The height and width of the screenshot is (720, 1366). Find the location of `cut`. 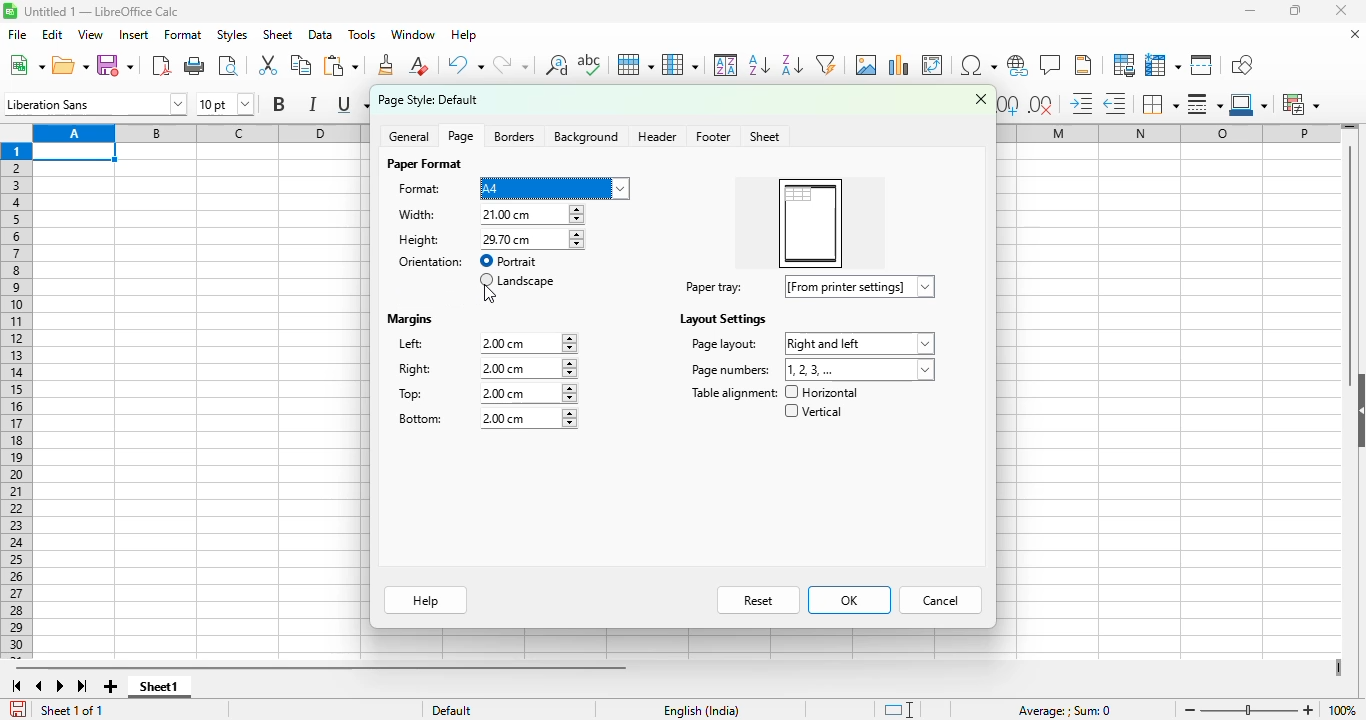

cut is located at coordinates (268, 64).